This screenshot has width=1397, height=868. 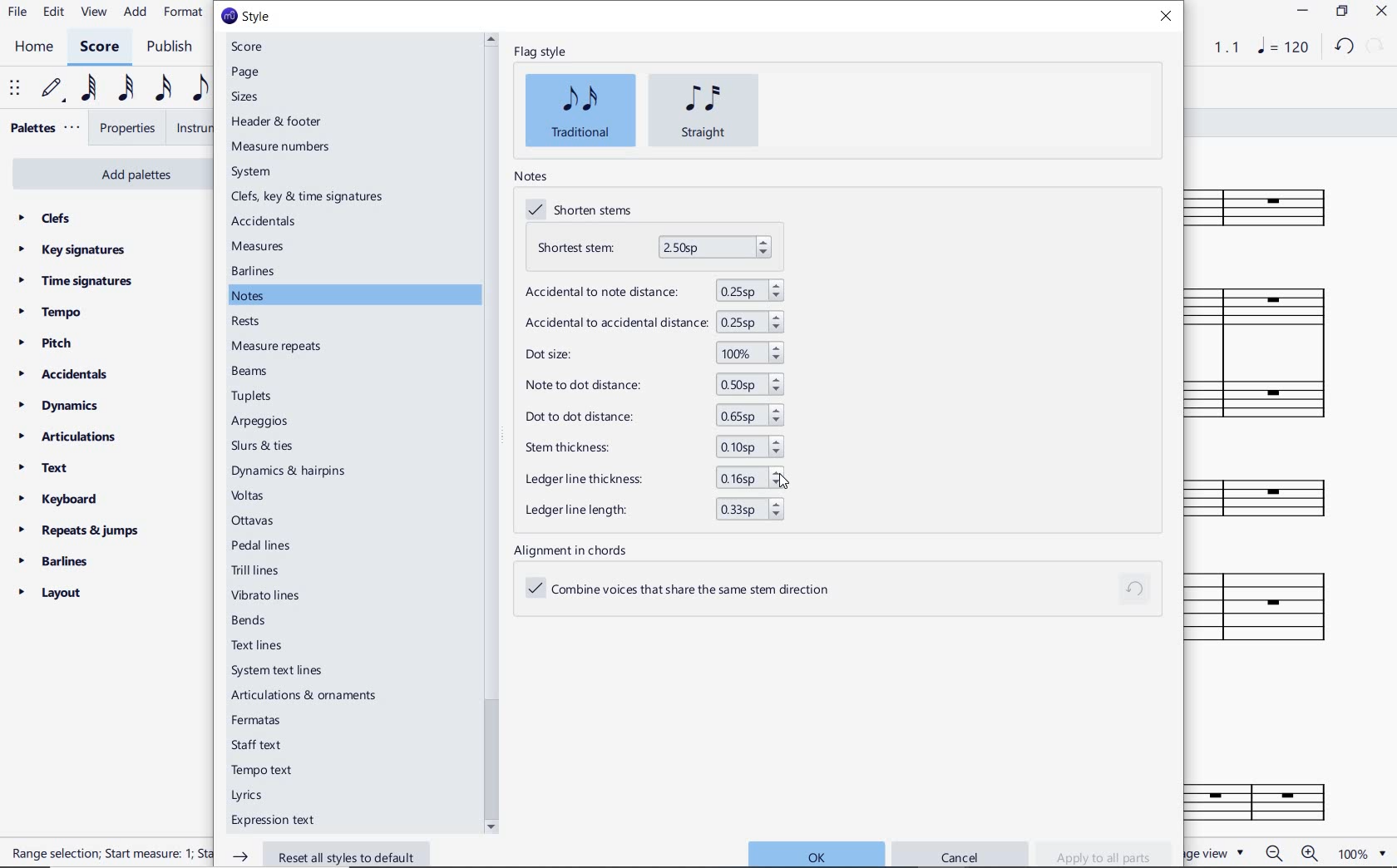 What do you see at coordinates (91, 88) in the screenshot?
I see `64th note` at bounding box center [91, 88].